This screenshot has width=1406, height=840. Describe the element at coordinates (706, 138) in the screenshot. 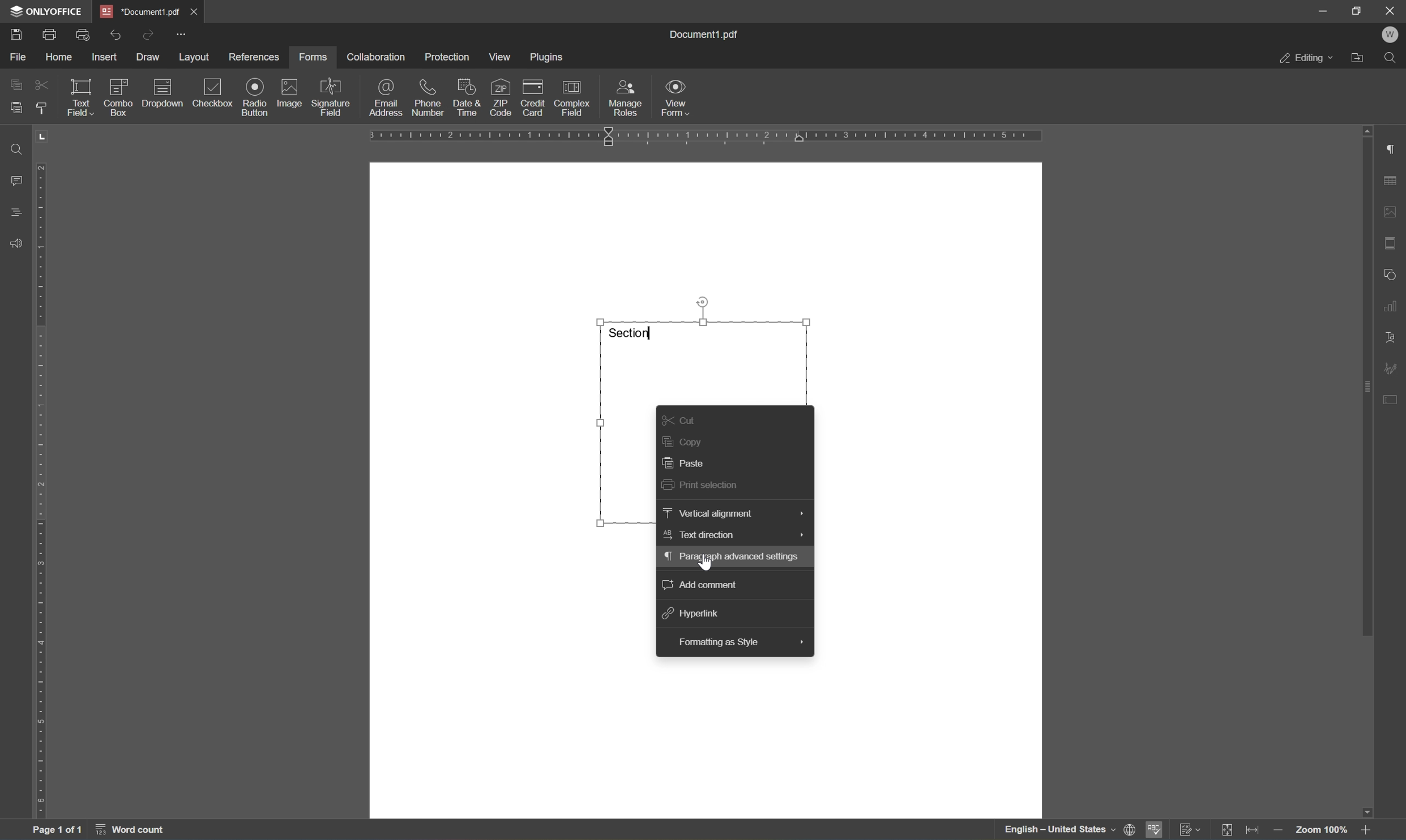

I see `ruler` at that location.